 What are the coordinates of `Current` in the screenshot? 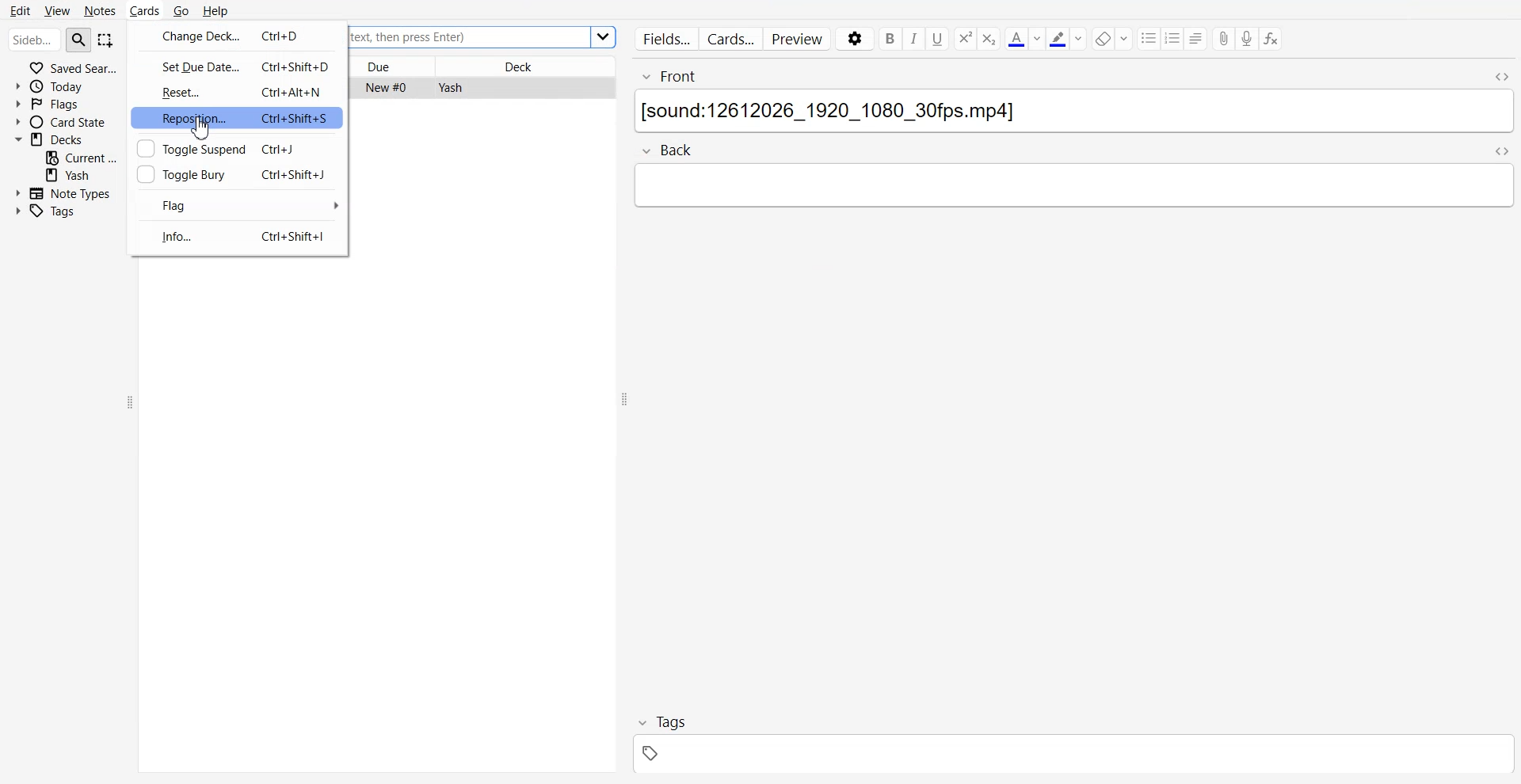 It's located at (82, 157).